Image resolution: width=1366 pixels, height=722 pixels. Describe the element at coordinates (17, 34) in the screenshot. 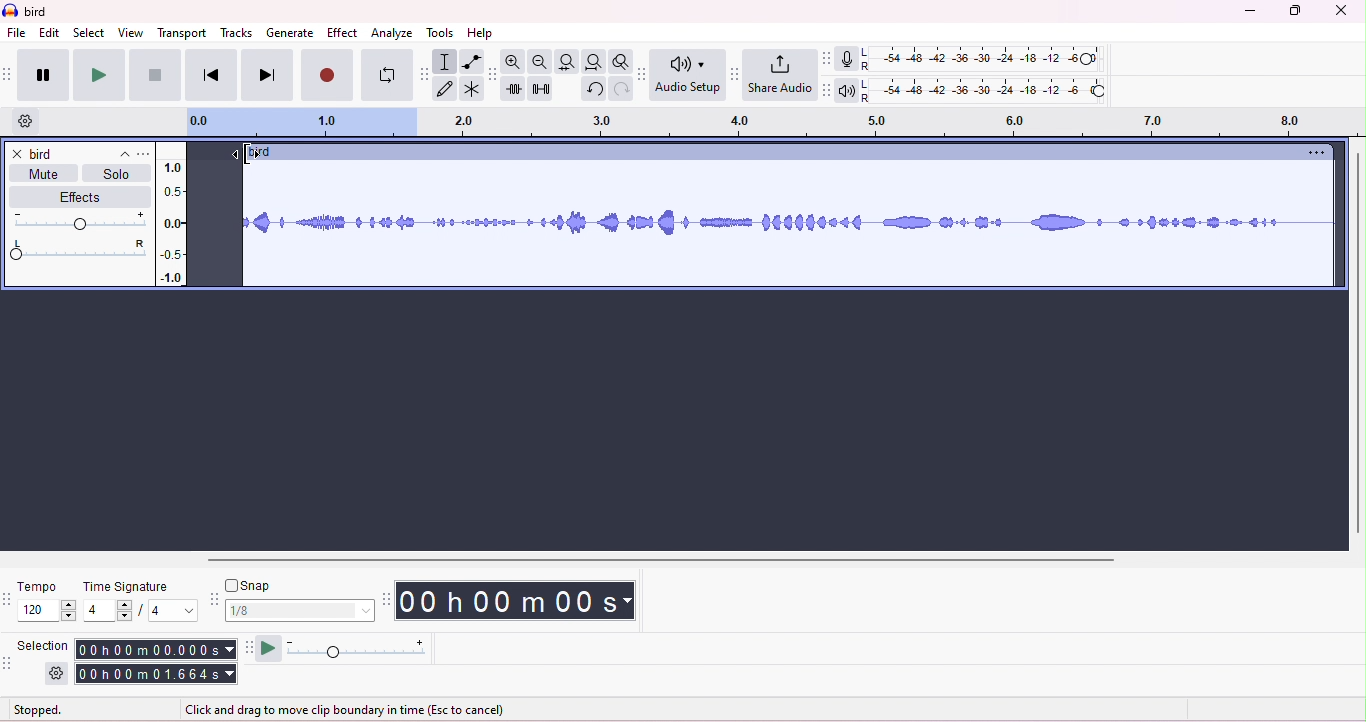

I see `file` at that location.